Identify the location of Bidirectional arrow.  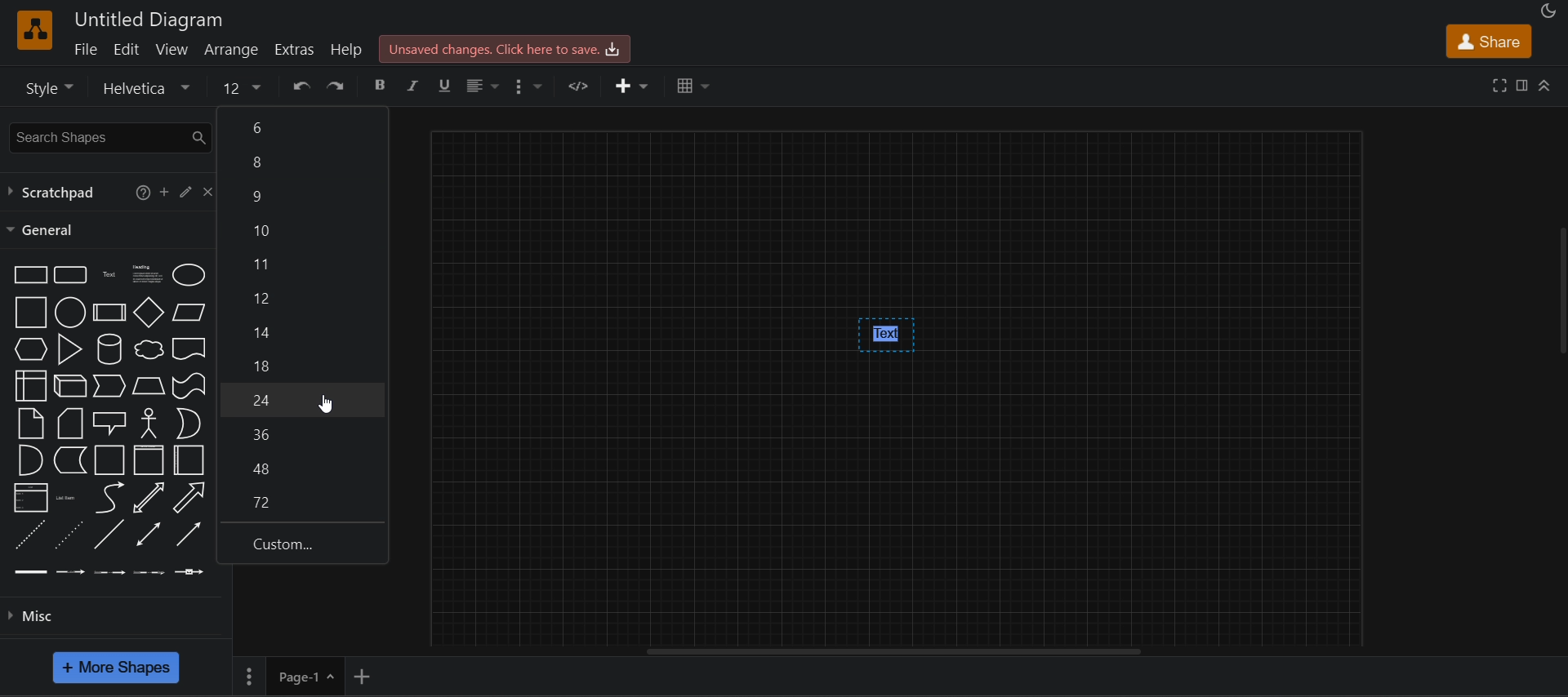
(149, 497).